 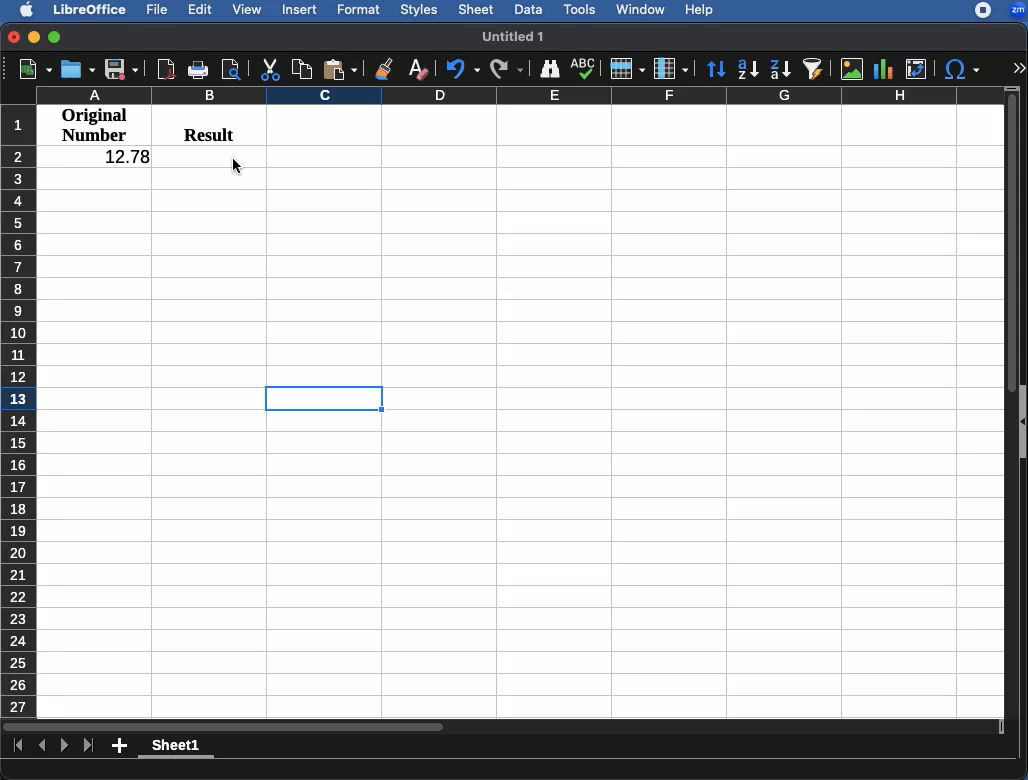 What do you see at coordinates (478, 11) in the screenshot?
I see `Sheet` at bounding box center [478, 11].